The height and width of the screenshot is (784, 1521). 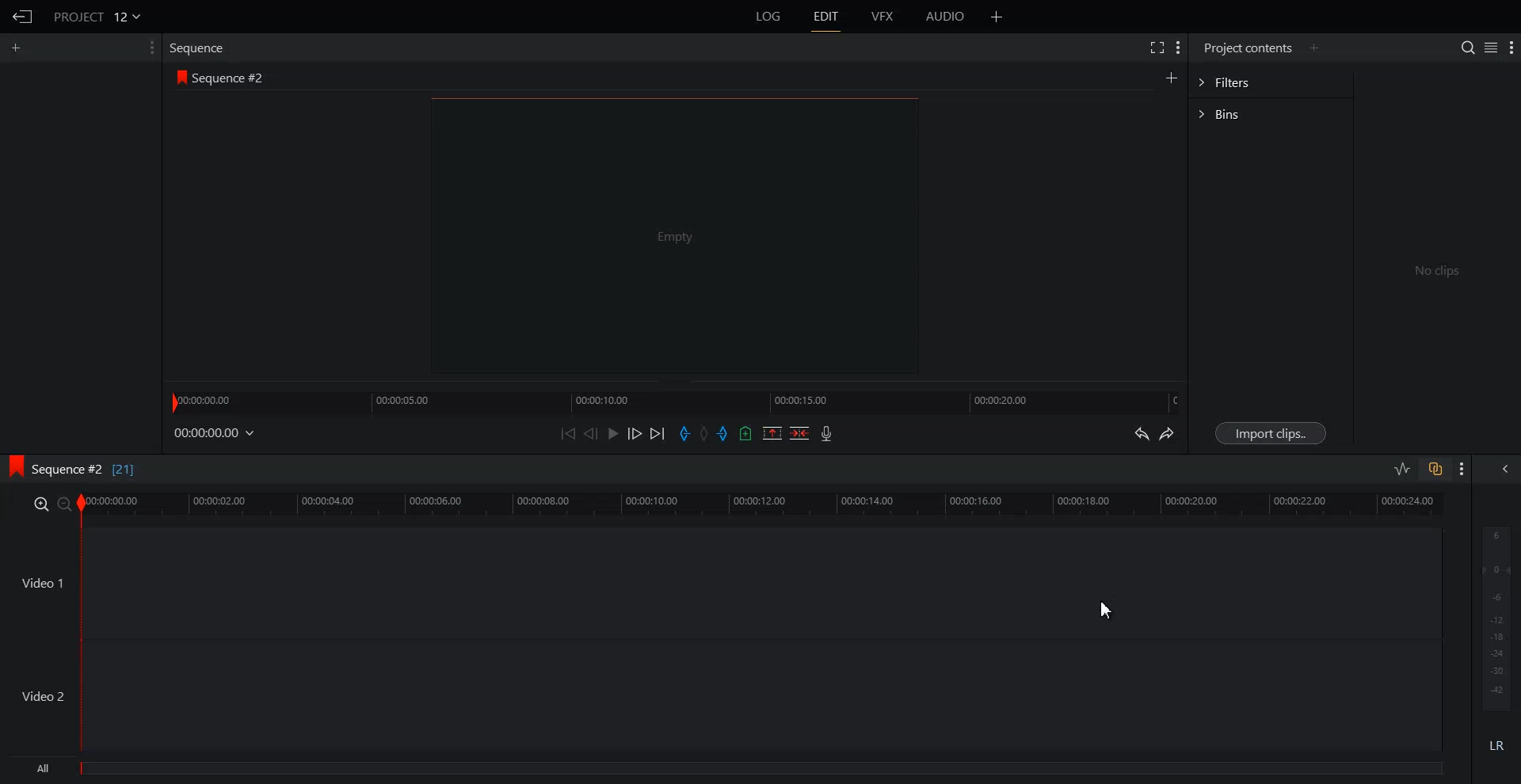 I want to click on logo, so click(x=13, y=466).